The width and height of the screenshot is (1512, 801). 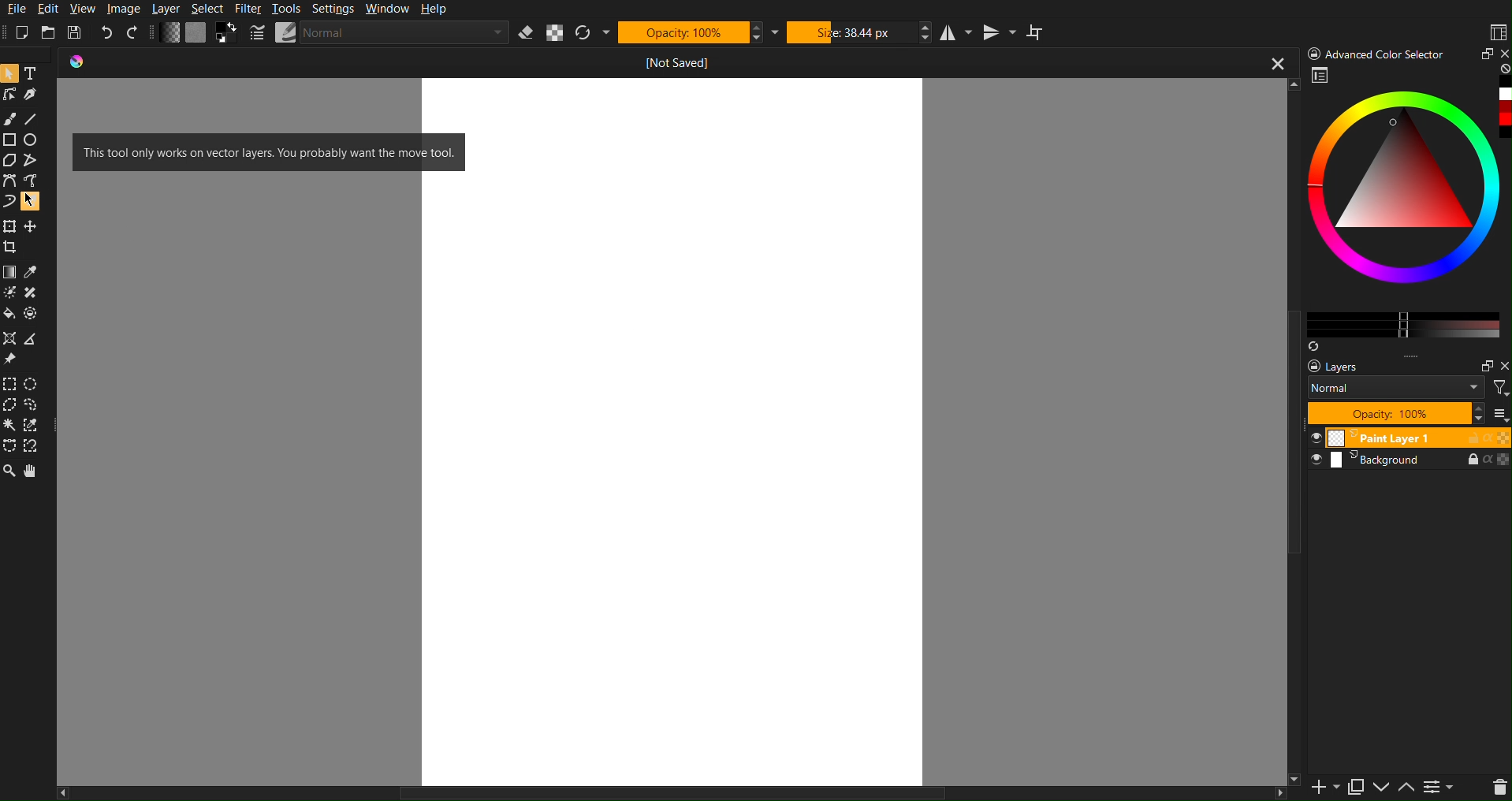 I want to click on Window, so click(x=389, y=9).